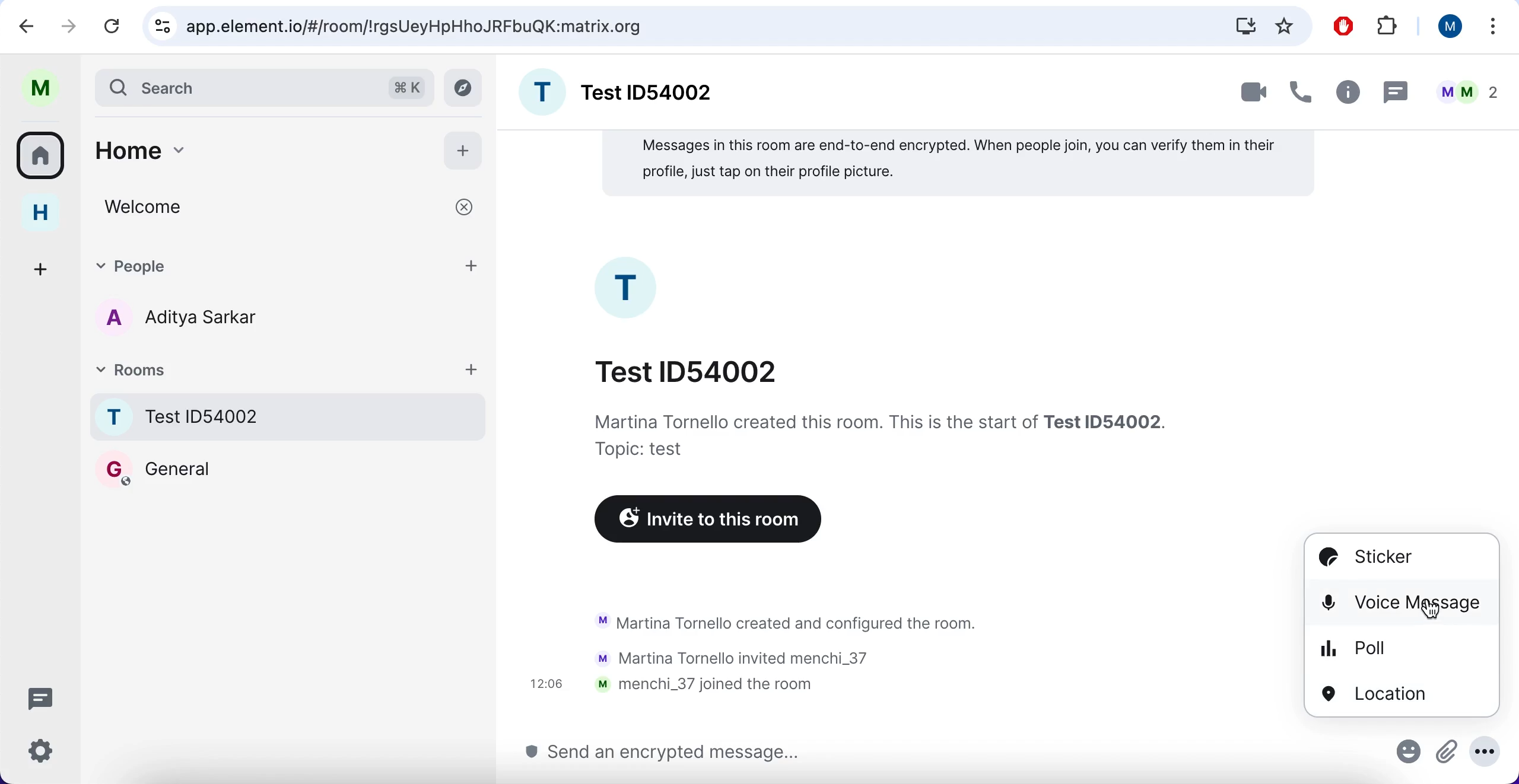 The height and width of the screenshot is (784, 1519). I want to click on rooms, so click(291, 368).